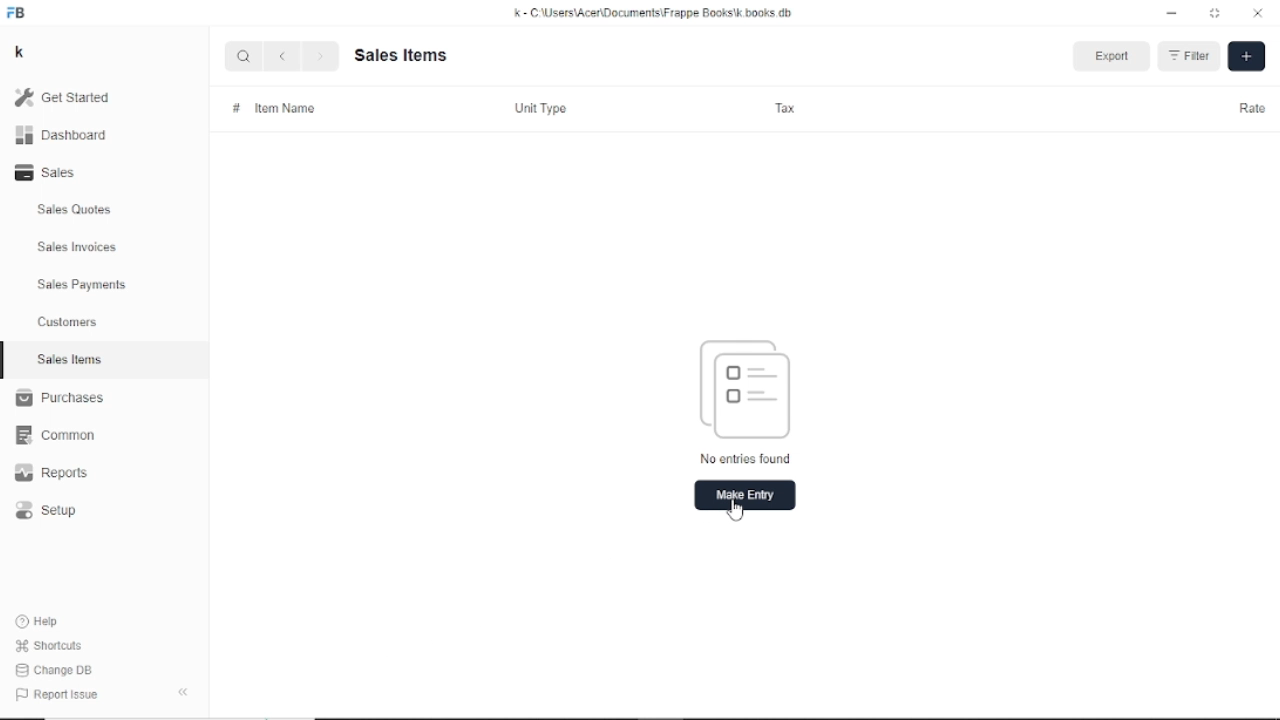  I want to click on Get started, so click(71, 97).